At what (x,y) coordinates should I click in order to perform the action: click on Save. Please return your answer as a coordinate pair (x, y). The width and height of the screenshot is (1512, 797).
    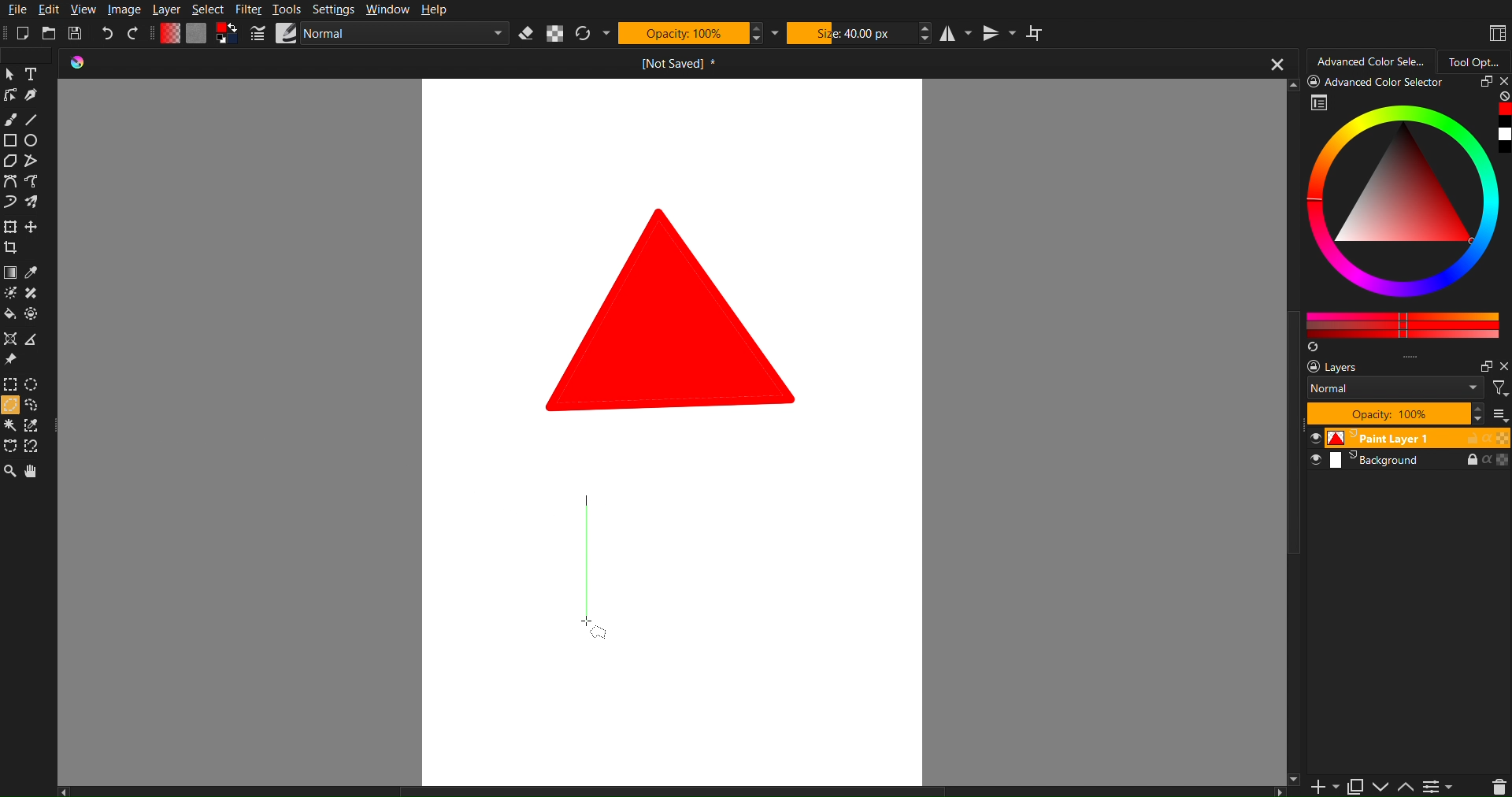
    Looking at the image, I should click on (79, 33).